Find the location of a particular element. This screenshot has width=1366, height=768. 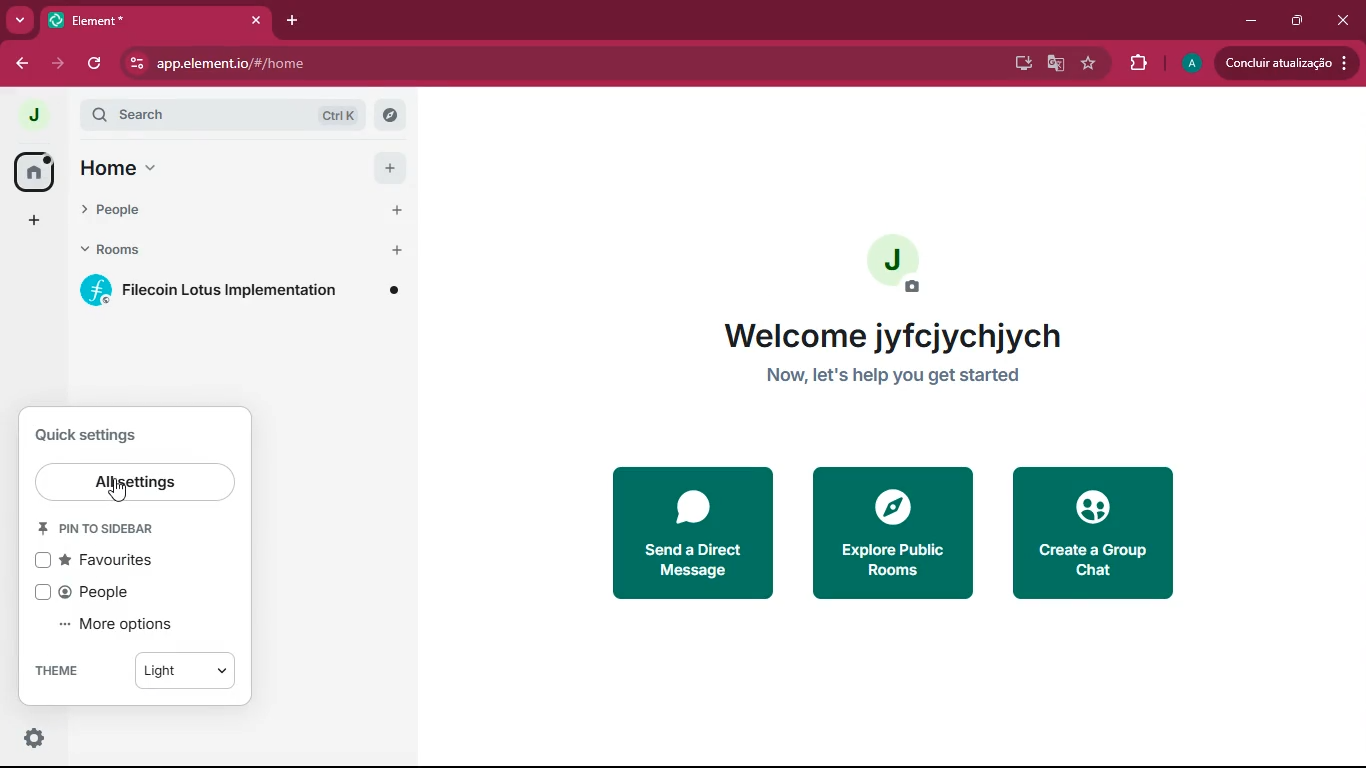

now, let's help you get started is located at coordinates (902, 376).